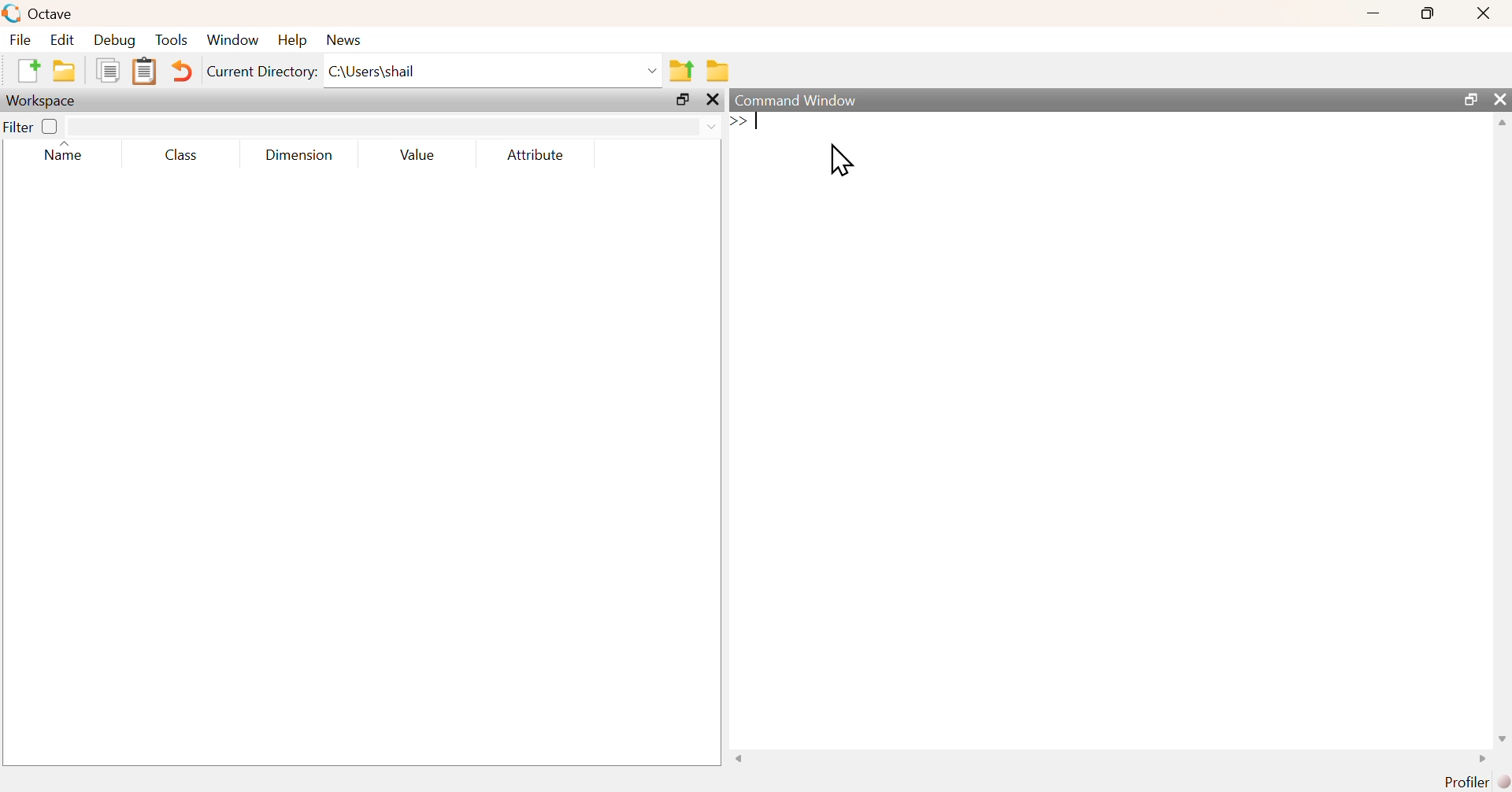  I want to click on Cursor, so click(843, 161).